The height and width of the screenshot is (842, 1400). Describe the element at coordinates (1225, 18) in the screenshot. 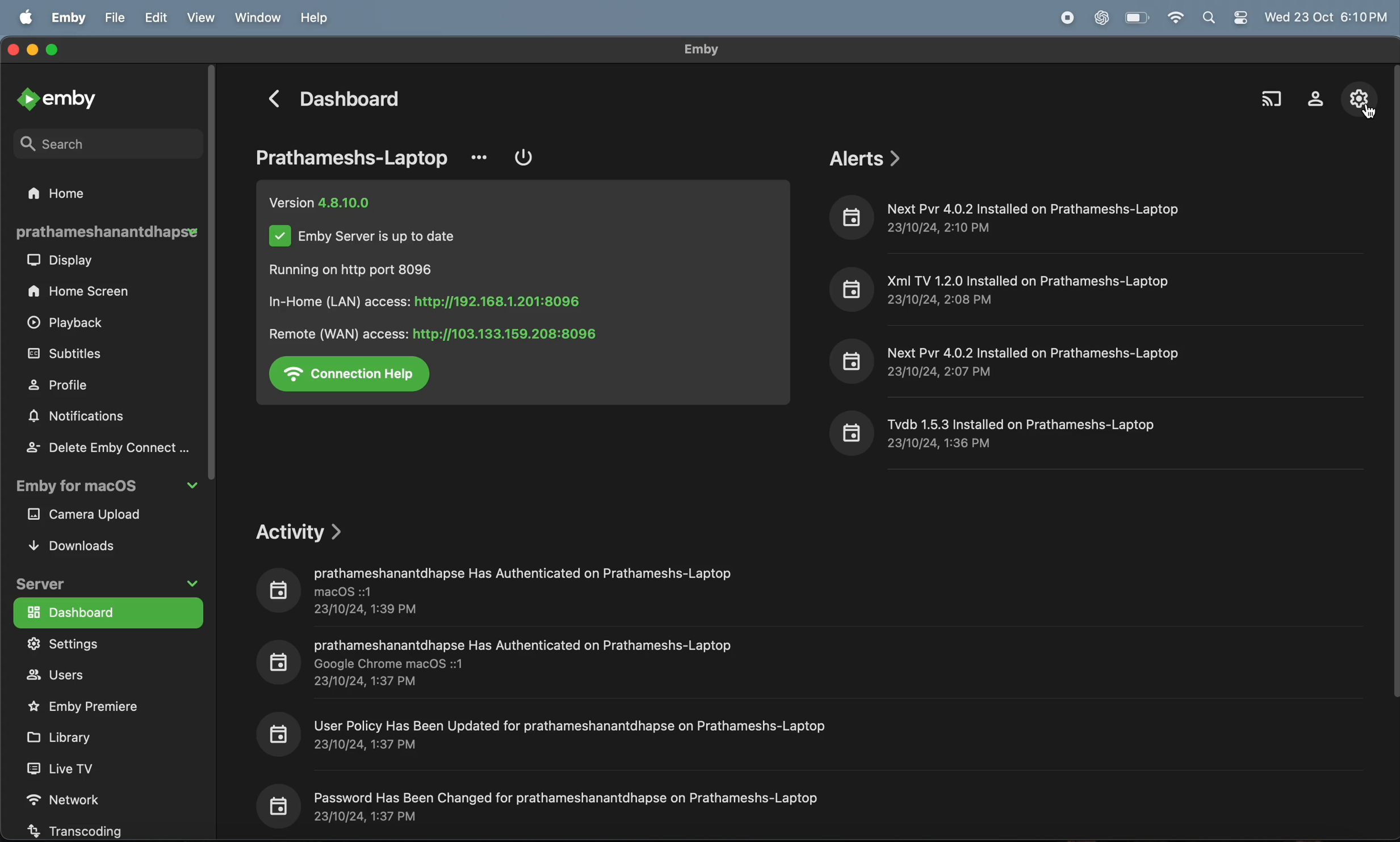

I see `apple widgets` at that location.